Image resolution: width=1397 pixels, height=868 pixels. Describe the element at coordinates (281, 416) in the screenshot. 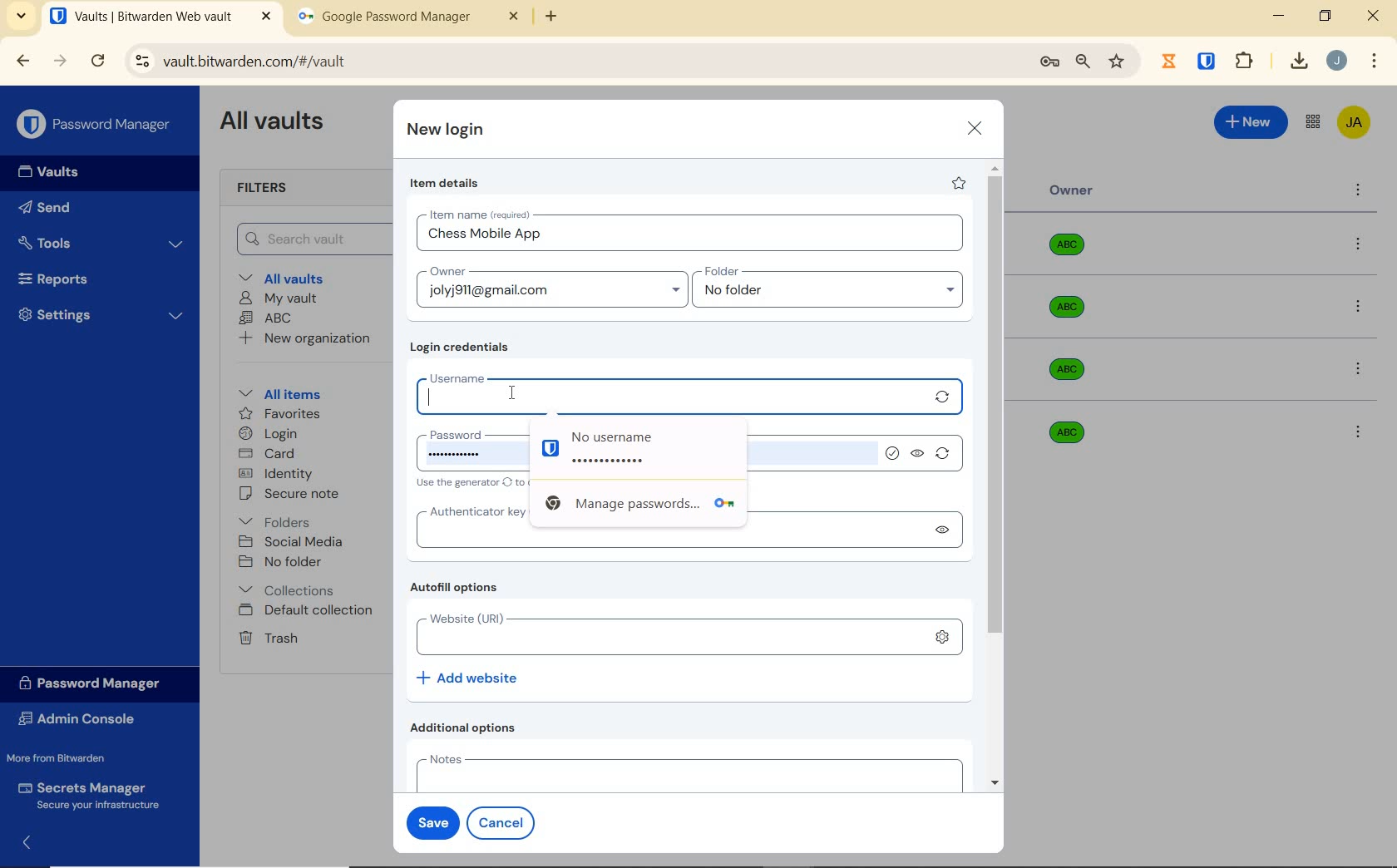

I see `favorites` at that location.